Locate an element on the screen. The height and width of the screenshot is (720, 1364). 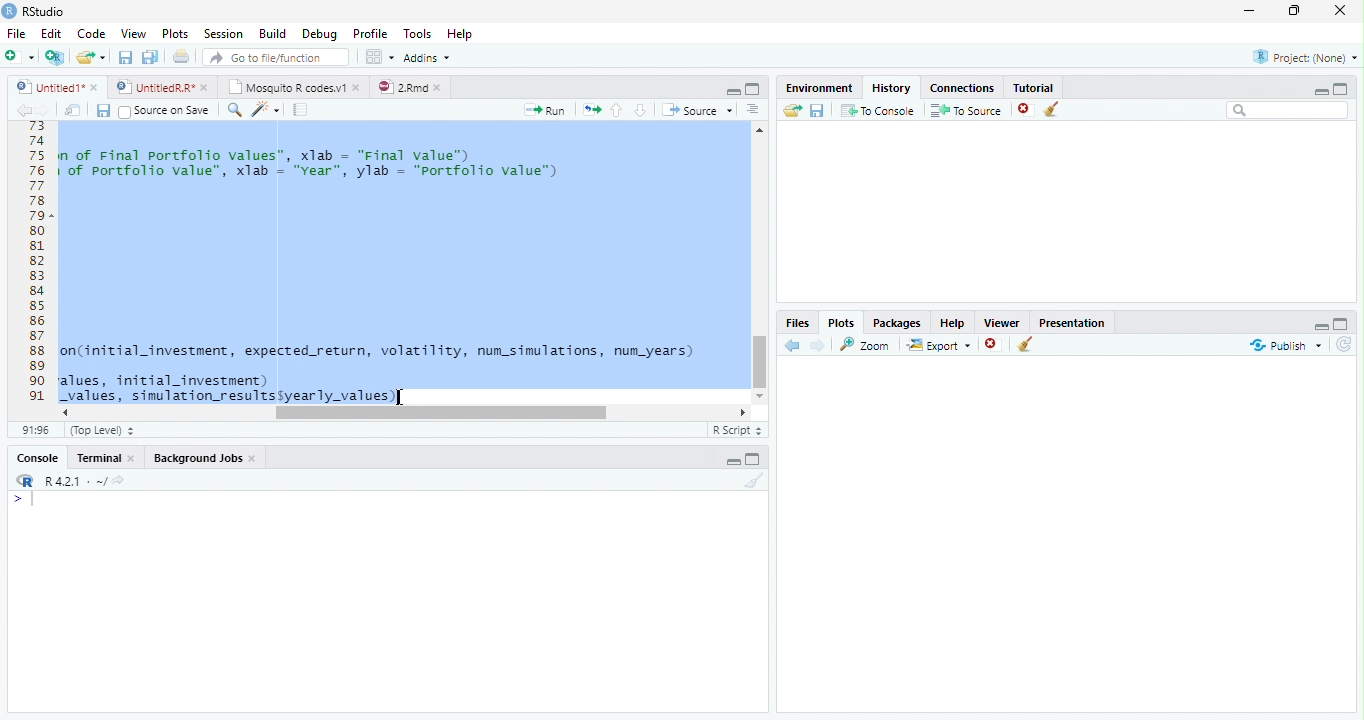
Files is located at coordinates (798, 322).